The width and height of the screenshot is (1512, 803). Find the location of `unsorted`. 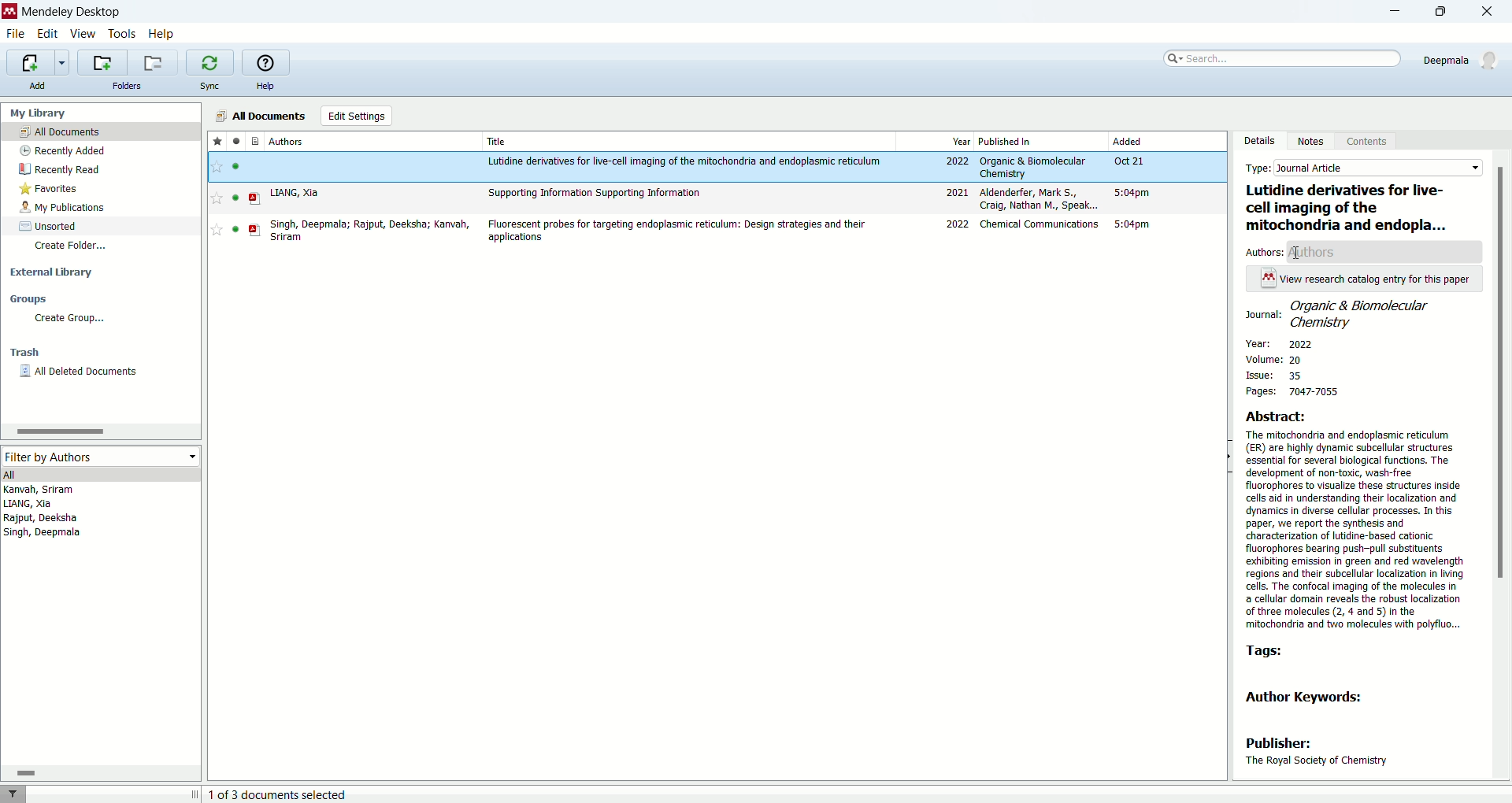

unsorted is located at coordinates (51, 225).